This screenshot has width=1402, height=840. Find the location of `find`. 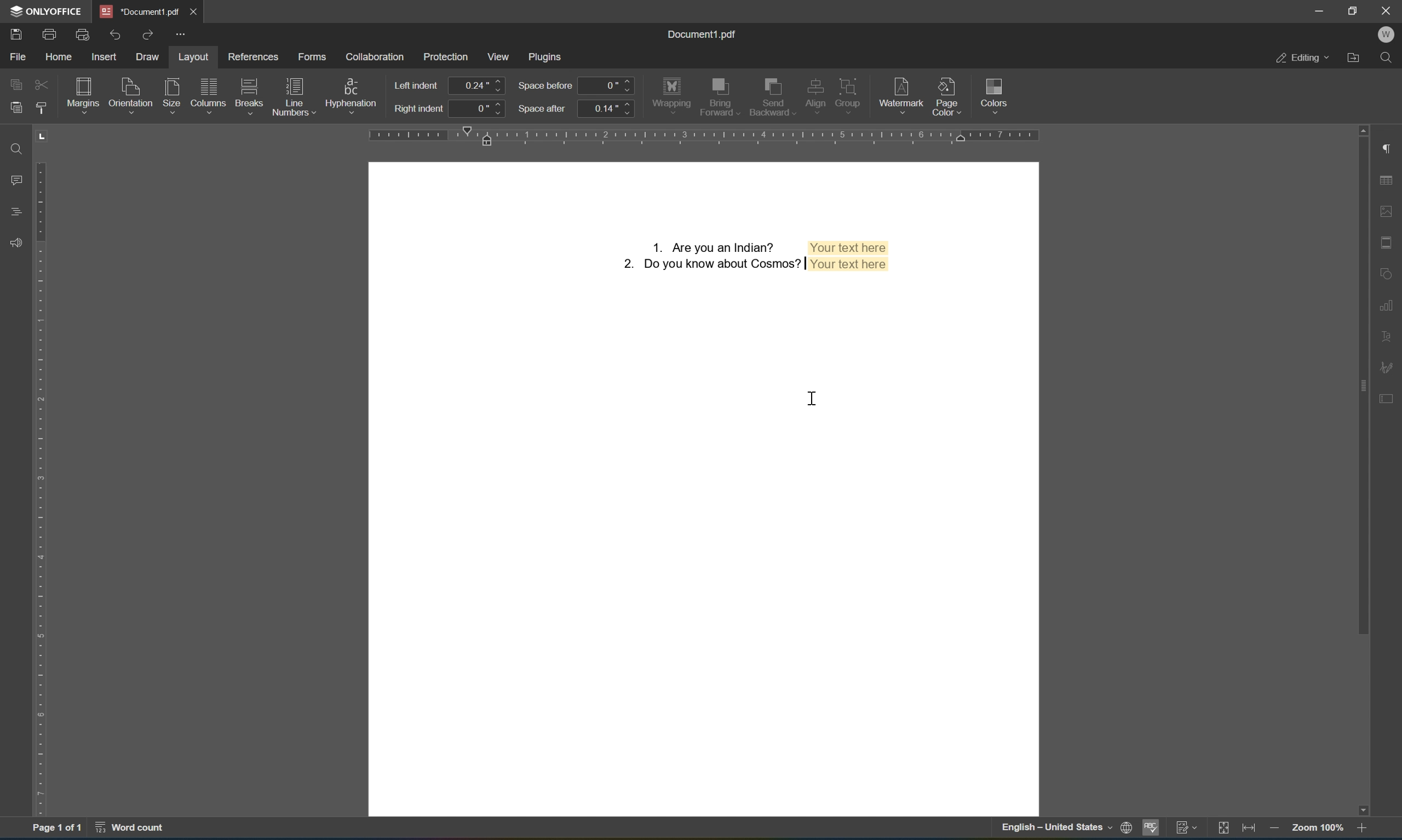

find is located at coordinates (19, 148).